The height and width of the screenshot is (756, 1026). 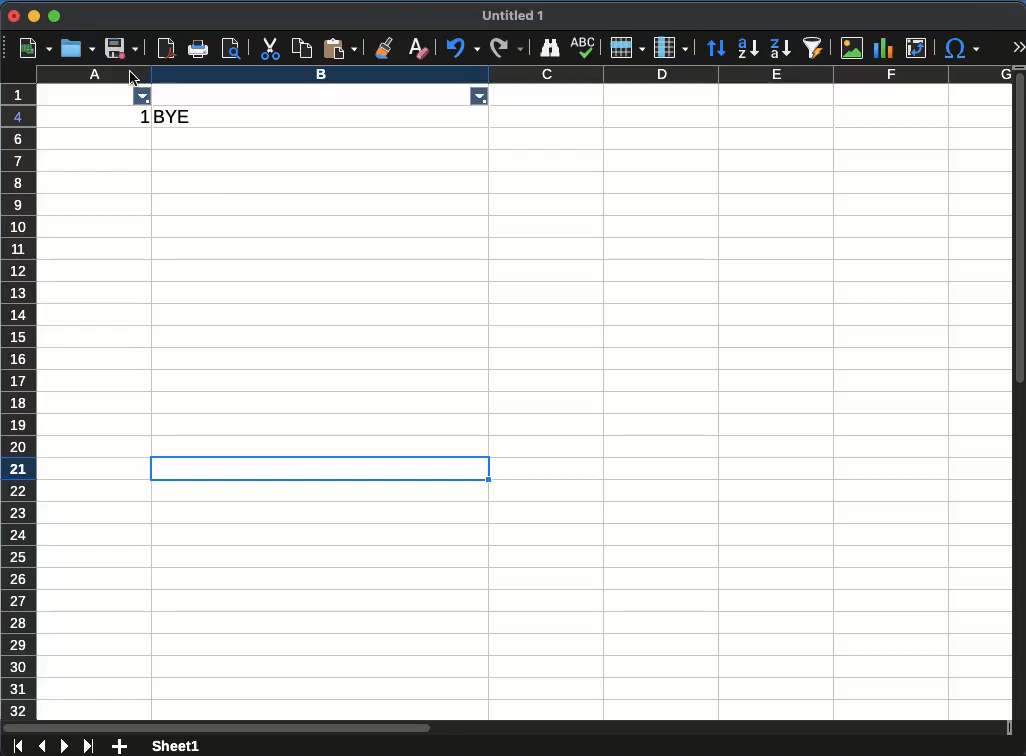 What do you see at coordinates (235, 49) in the screenshot?
I see `pdf viewer` at bounding box center [235, 49].